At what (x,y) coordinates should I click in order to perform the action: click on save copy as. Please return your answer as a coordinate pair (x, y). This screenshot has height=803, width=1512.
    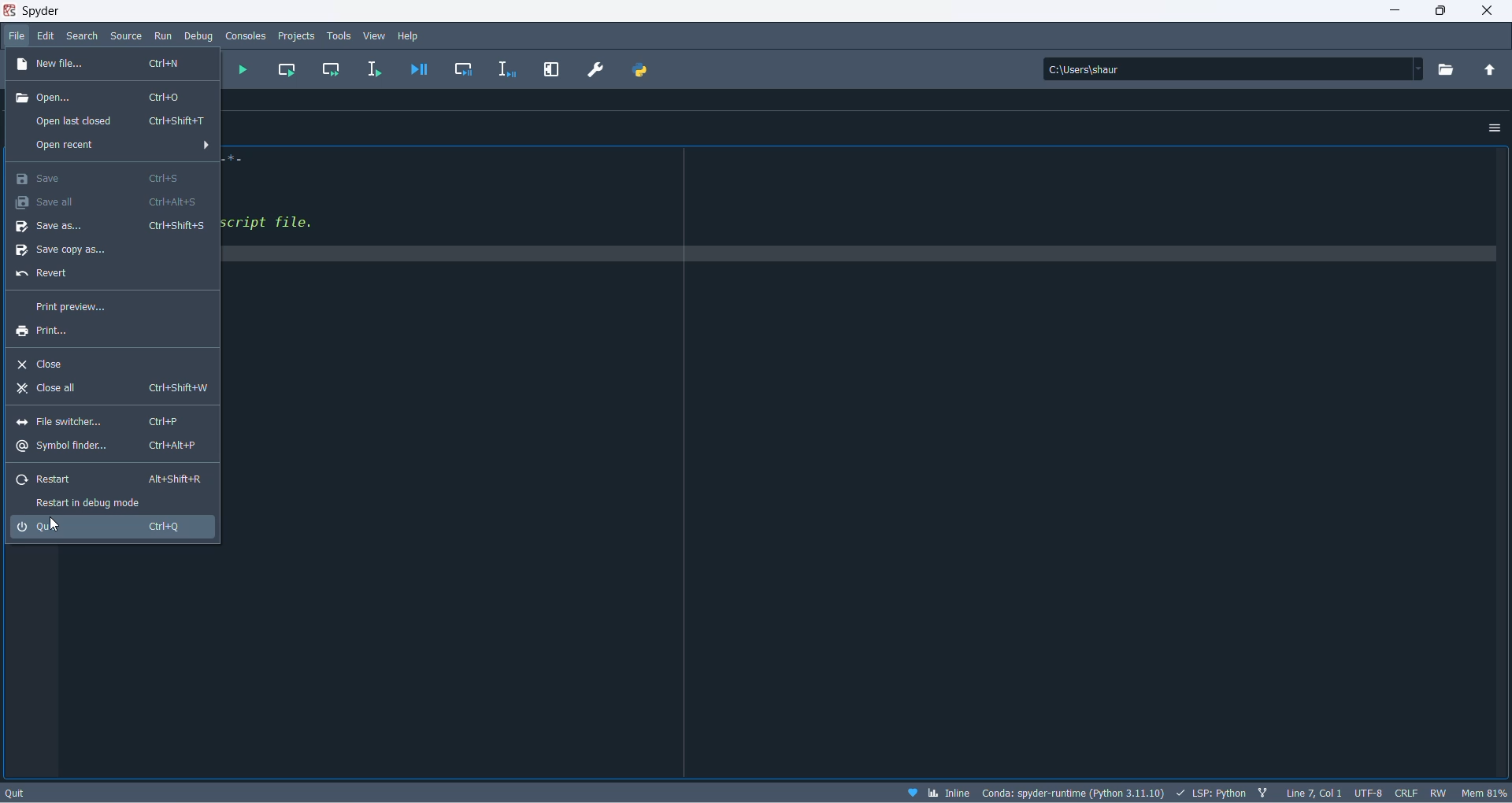
    Looking at the image, I should click on (112, 252).